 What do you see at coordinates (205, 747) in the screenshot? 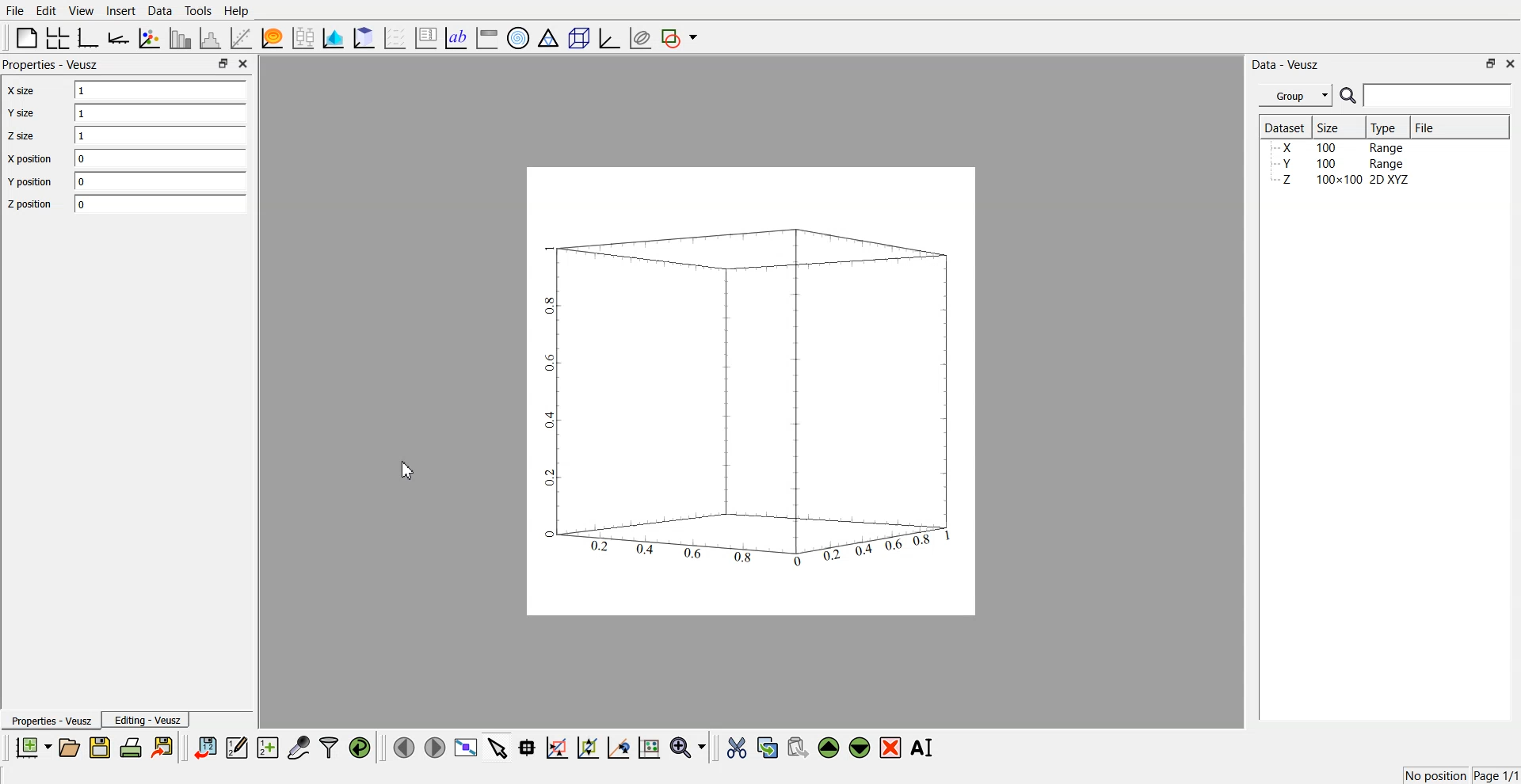
I see `Import dataset from veusz` at bounding box center [205, 747].